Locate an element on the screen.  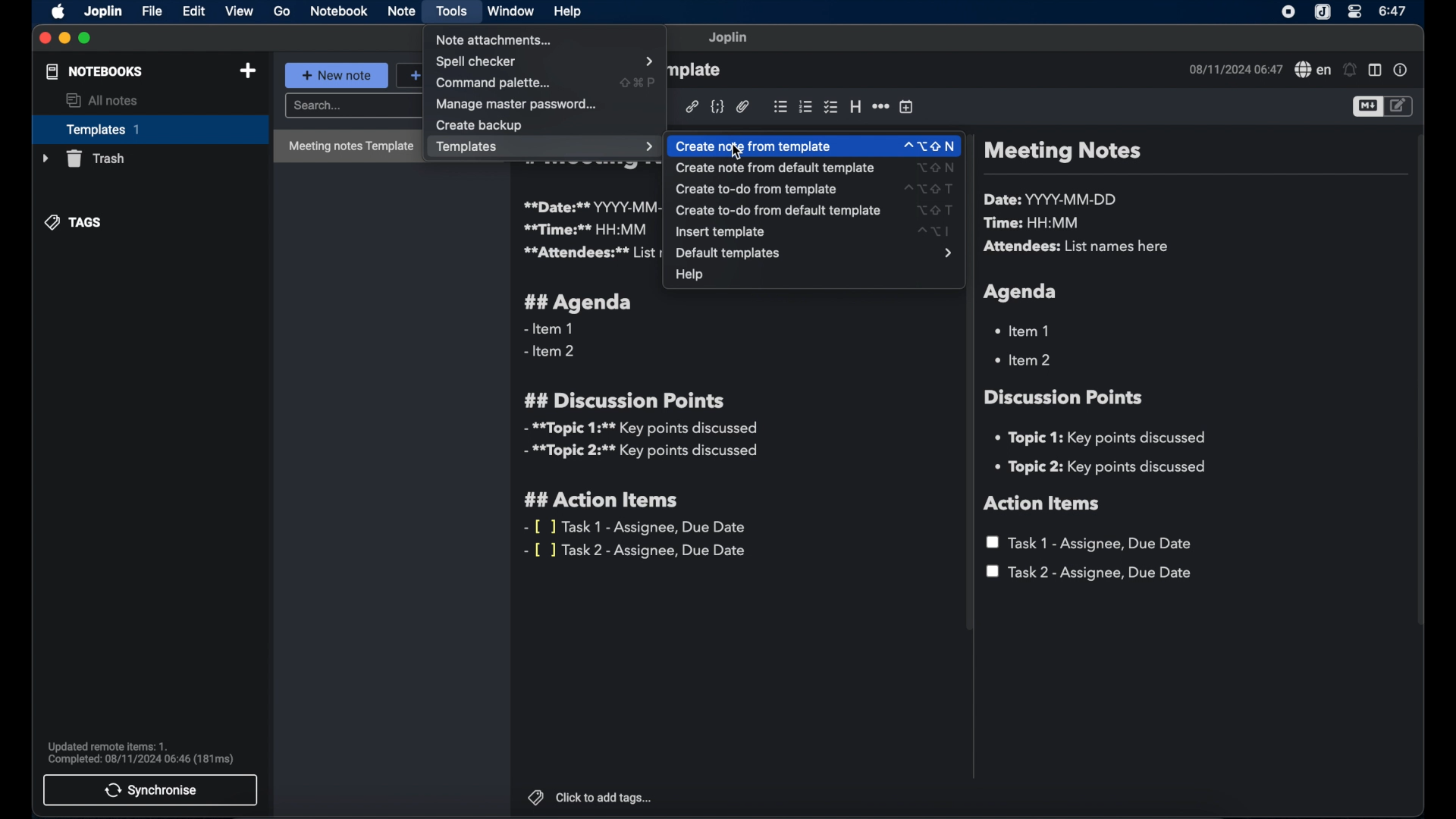
topic 1: key points discussed is located at coordinates (1106, 438).